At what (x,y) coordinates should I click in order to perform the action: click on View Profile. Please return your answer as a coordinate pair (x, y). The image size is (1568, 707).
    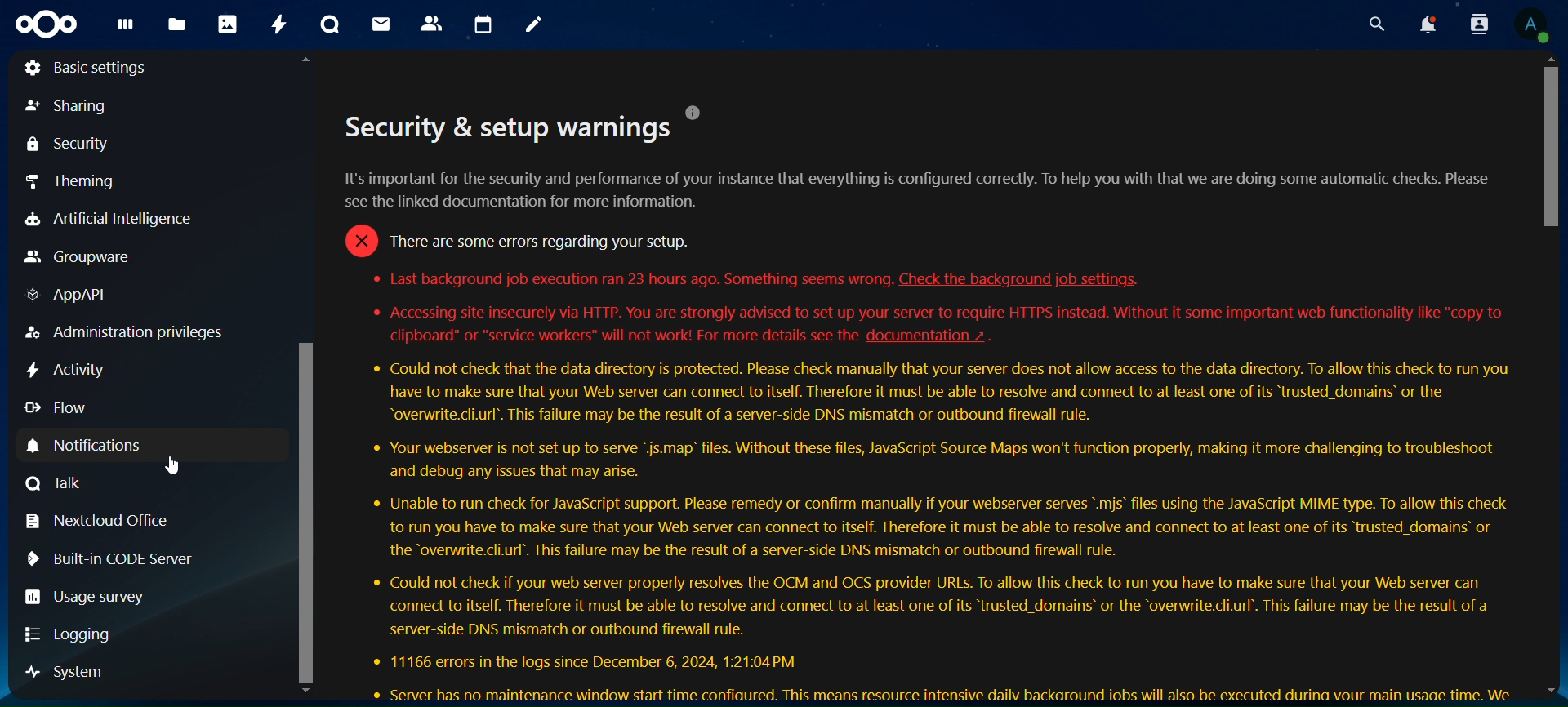
    Looking at the image, I should click on (1536, 26).